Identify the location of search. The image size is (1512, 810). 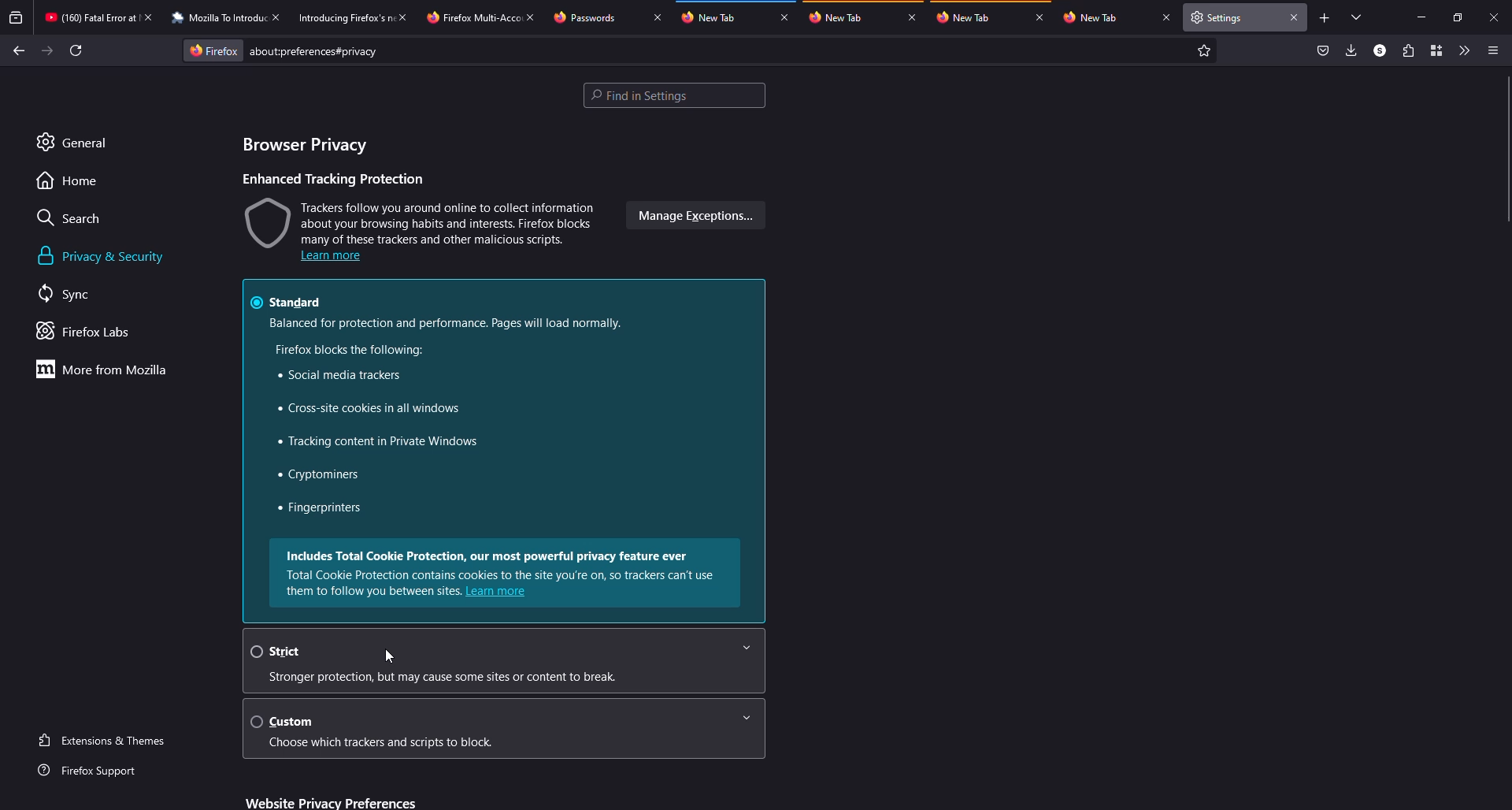
(72, 217).